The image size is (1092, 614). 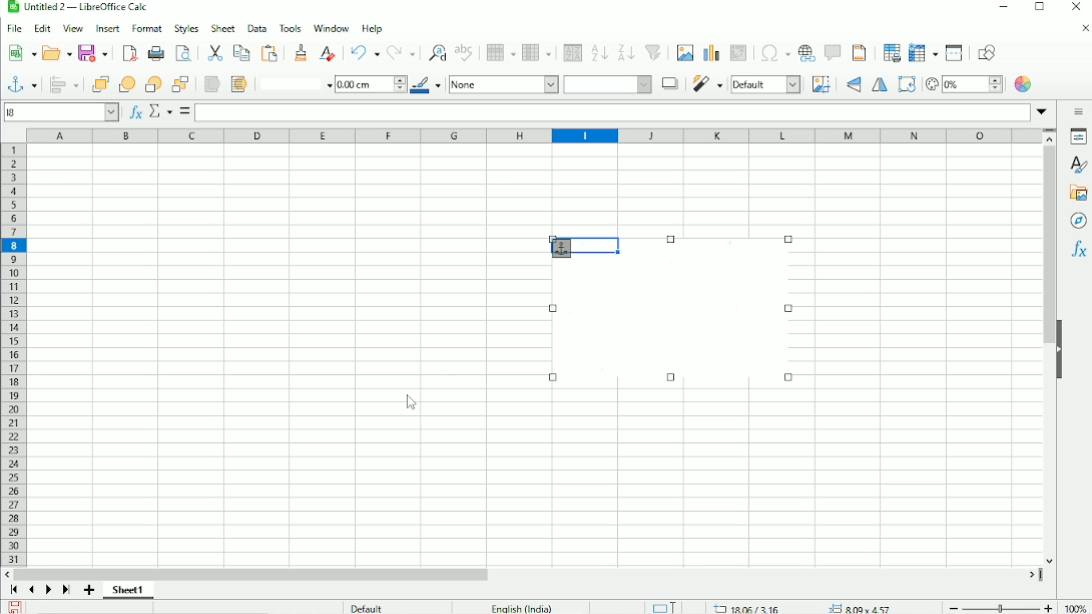 I want to click on Select function, so click(x=159, y=110).